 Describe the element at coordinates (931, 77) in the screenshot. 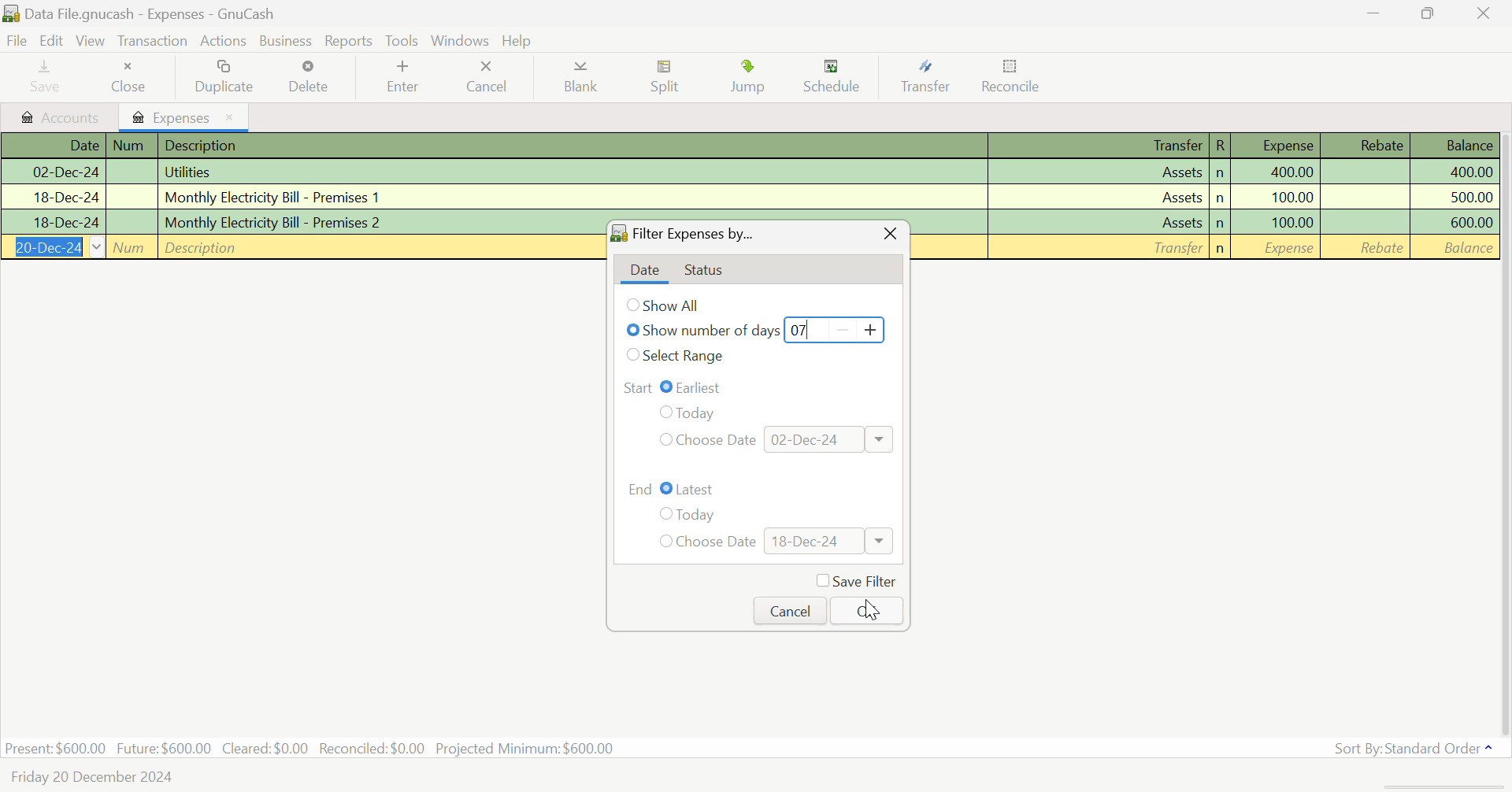

I see `Transfer` at that location.